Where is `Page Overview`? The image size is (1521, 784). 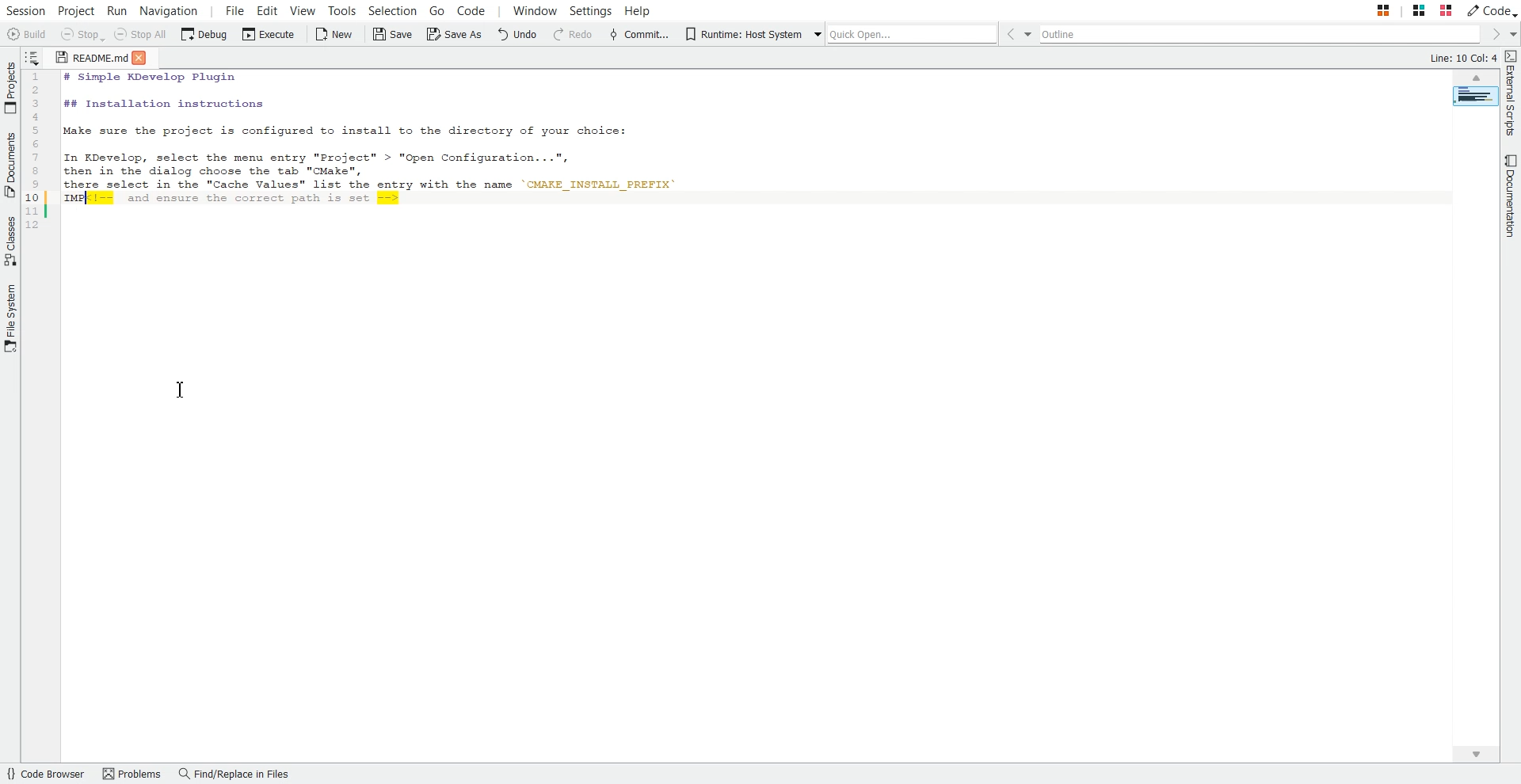
Page Overview is located at coordinates (1475, 96).